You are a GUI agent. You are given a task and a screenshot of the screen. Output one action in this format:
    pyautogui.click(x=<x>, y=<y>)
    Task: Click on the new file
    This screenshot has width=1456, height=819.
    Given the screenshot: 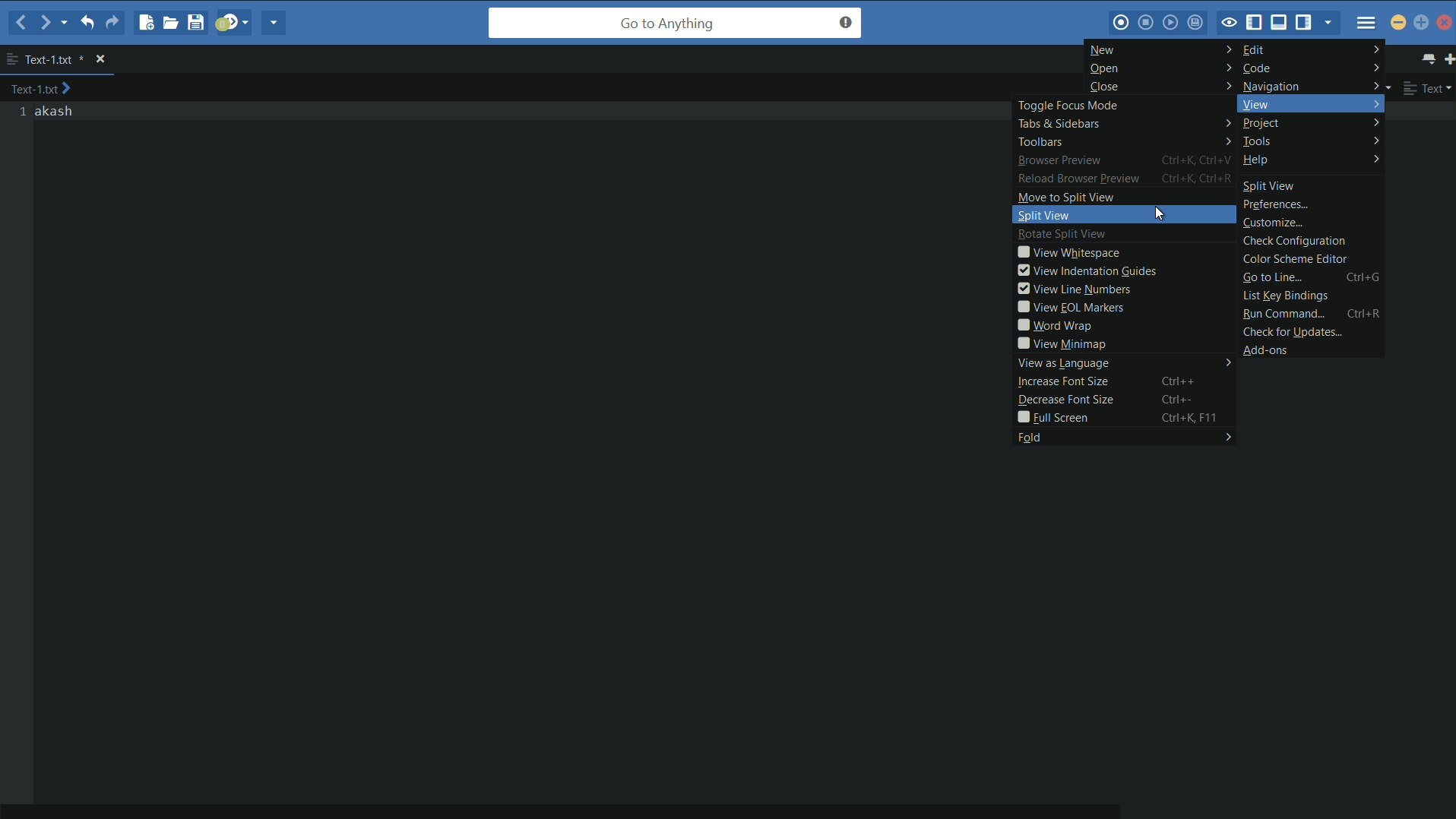 What is the action you would take?
    pyautogui.click(x=144, y=22)
    